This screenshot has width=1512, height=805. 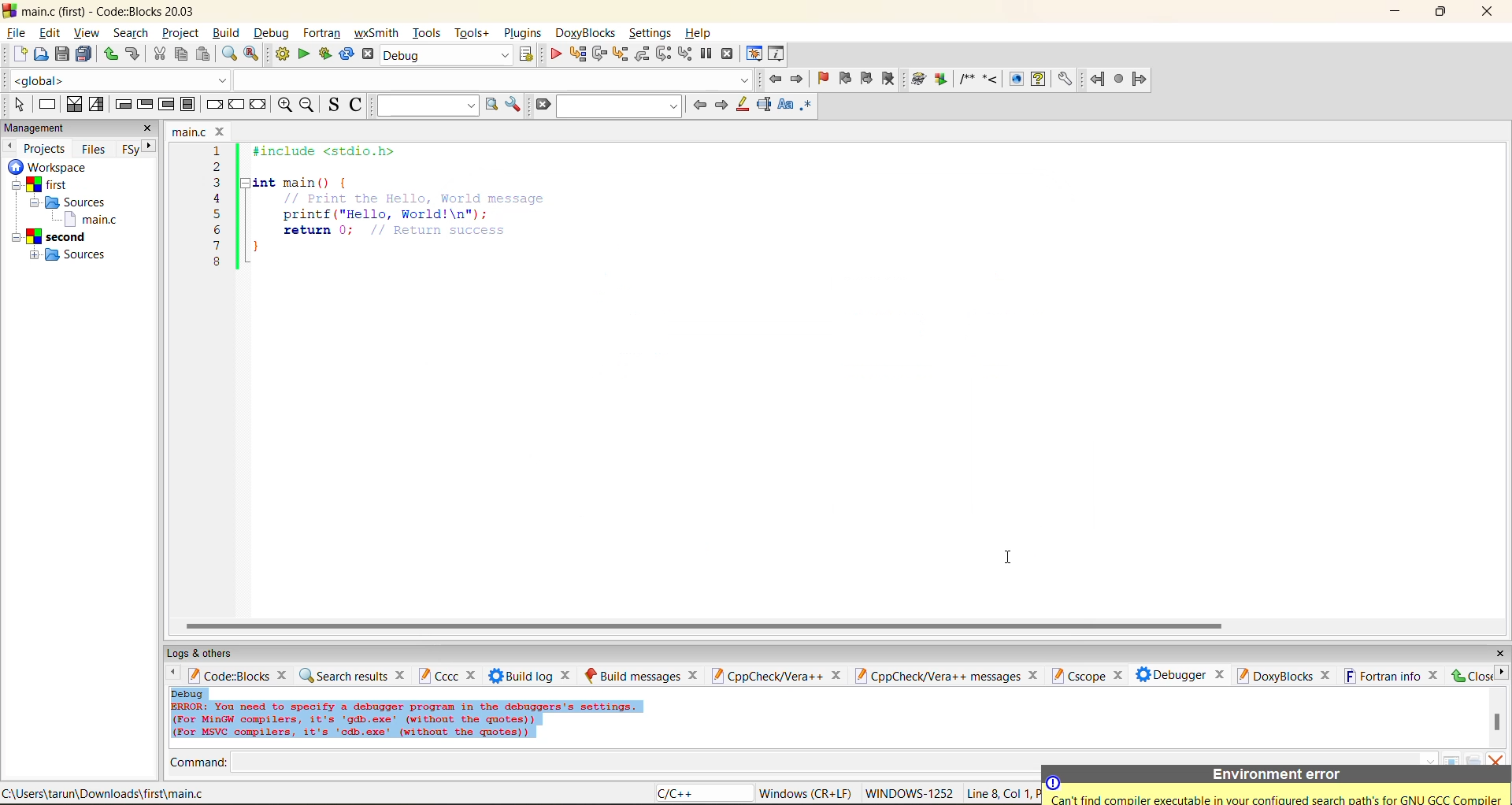 I want to click on debug/continue, so click(x=555, y=54).